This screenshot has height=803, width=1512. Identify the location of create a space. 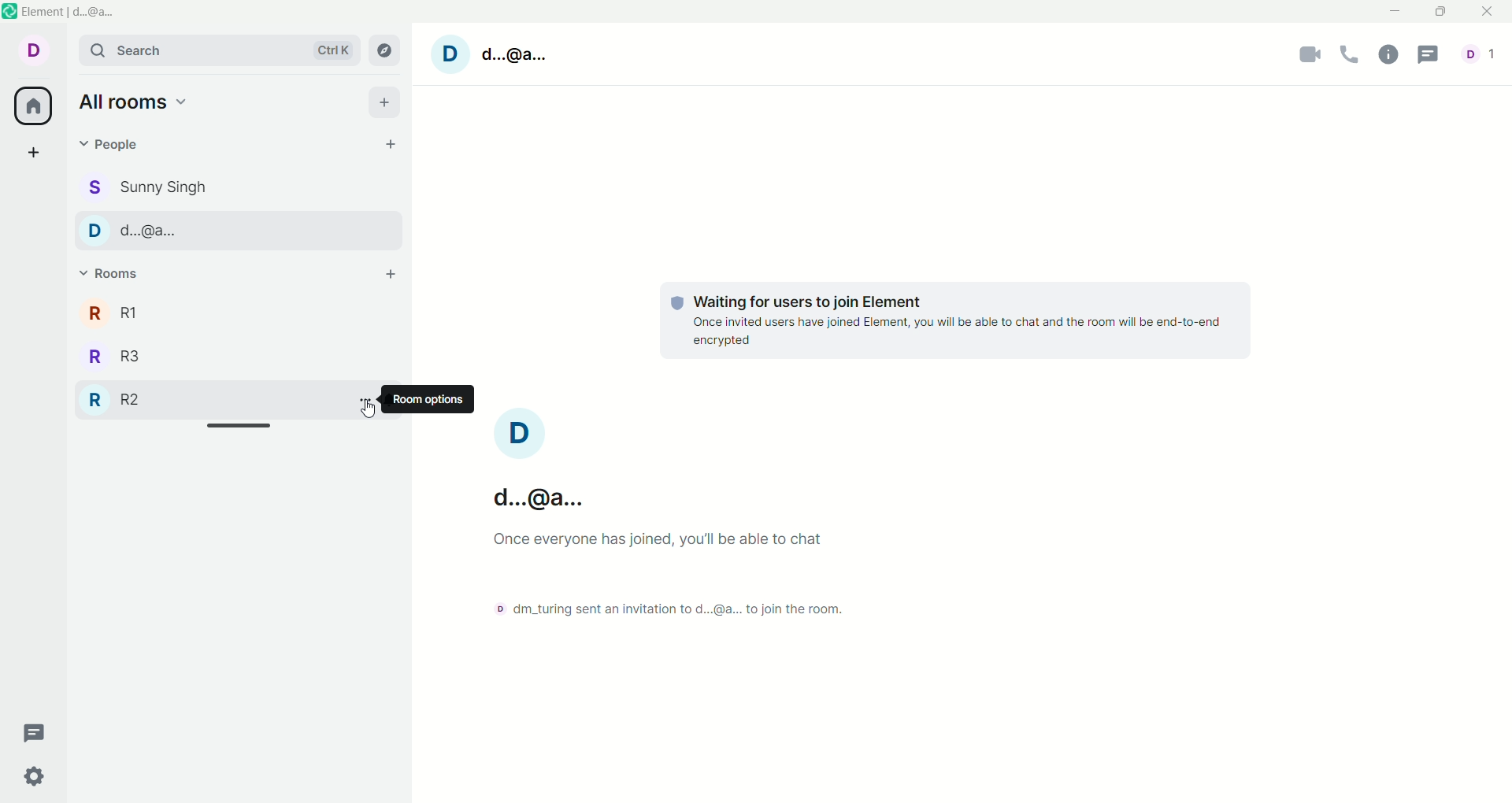
(29, 151).